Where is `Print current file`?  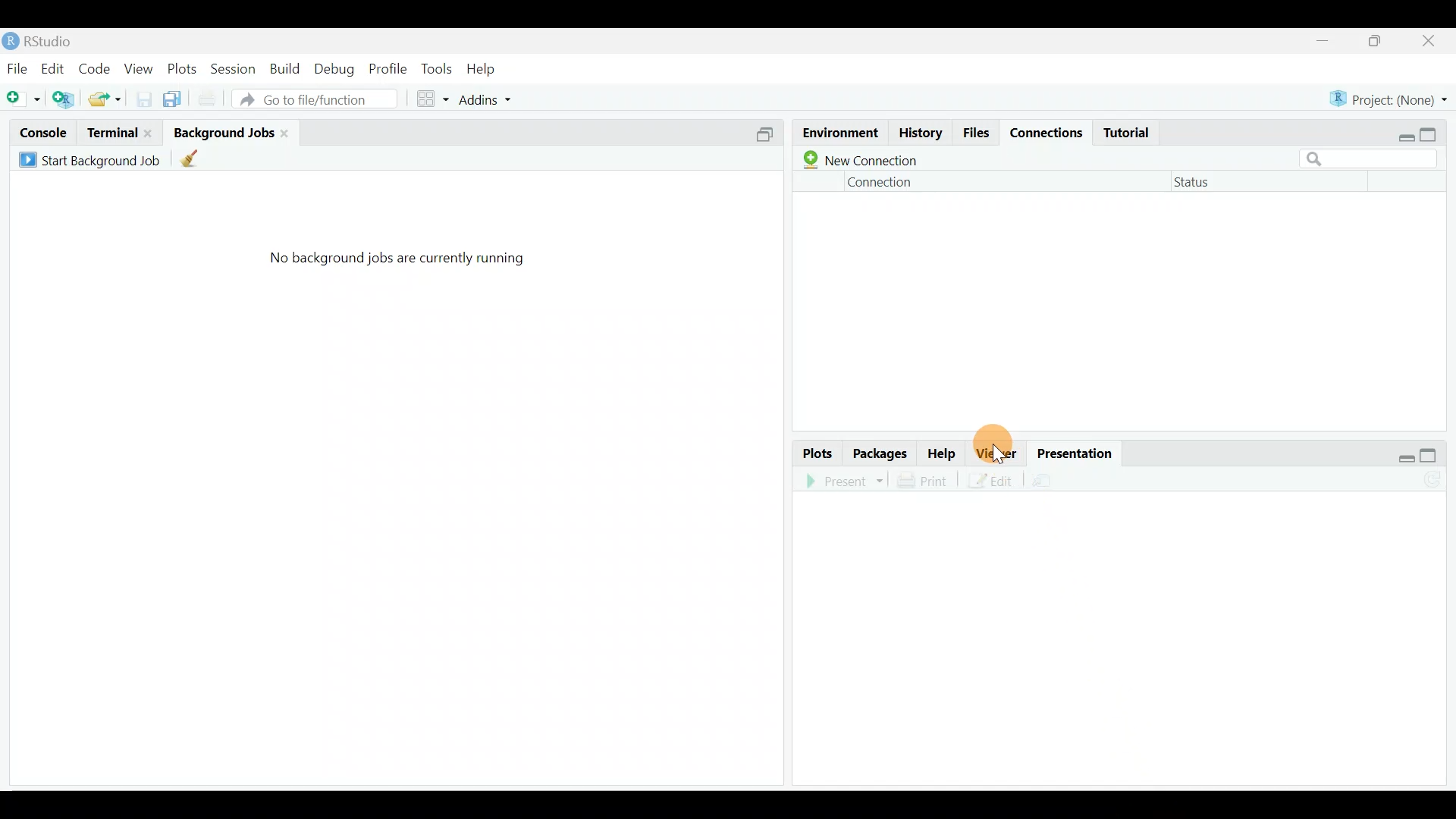
Print current file is located at coordinates (205, 96).